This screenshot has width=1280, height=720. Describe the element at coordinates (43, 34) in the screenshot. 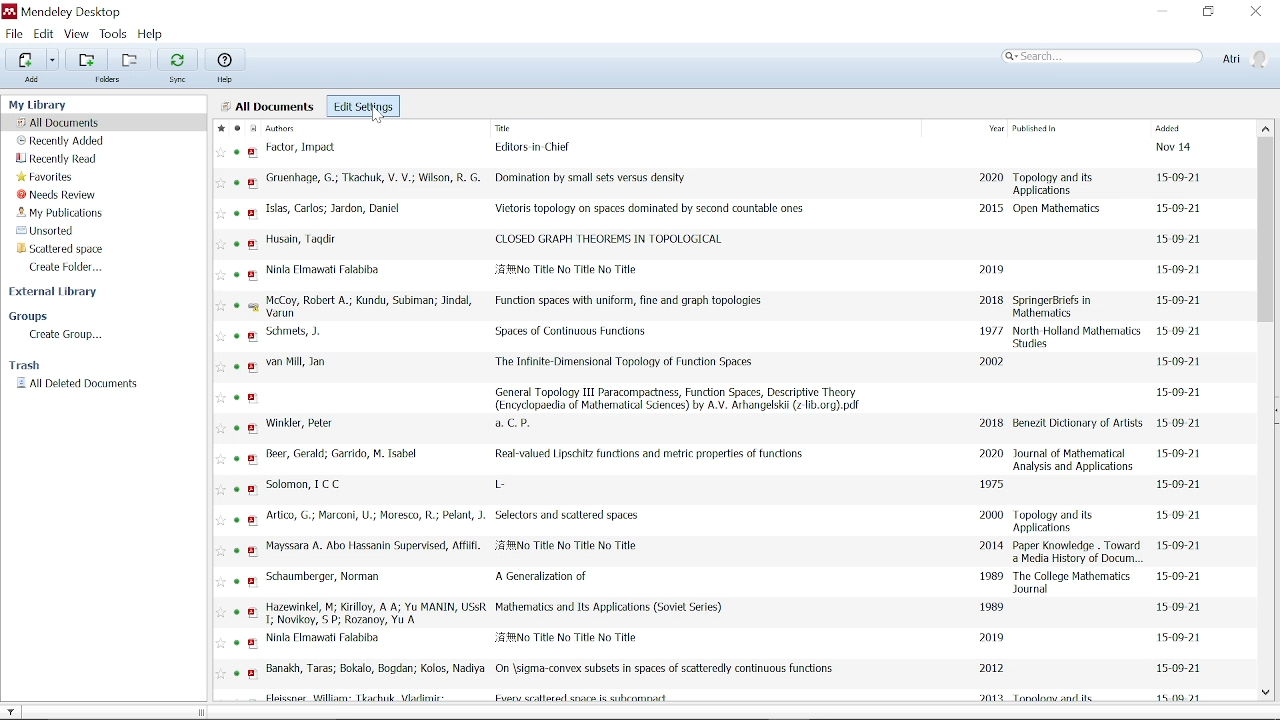

I see `Edit` at that location.